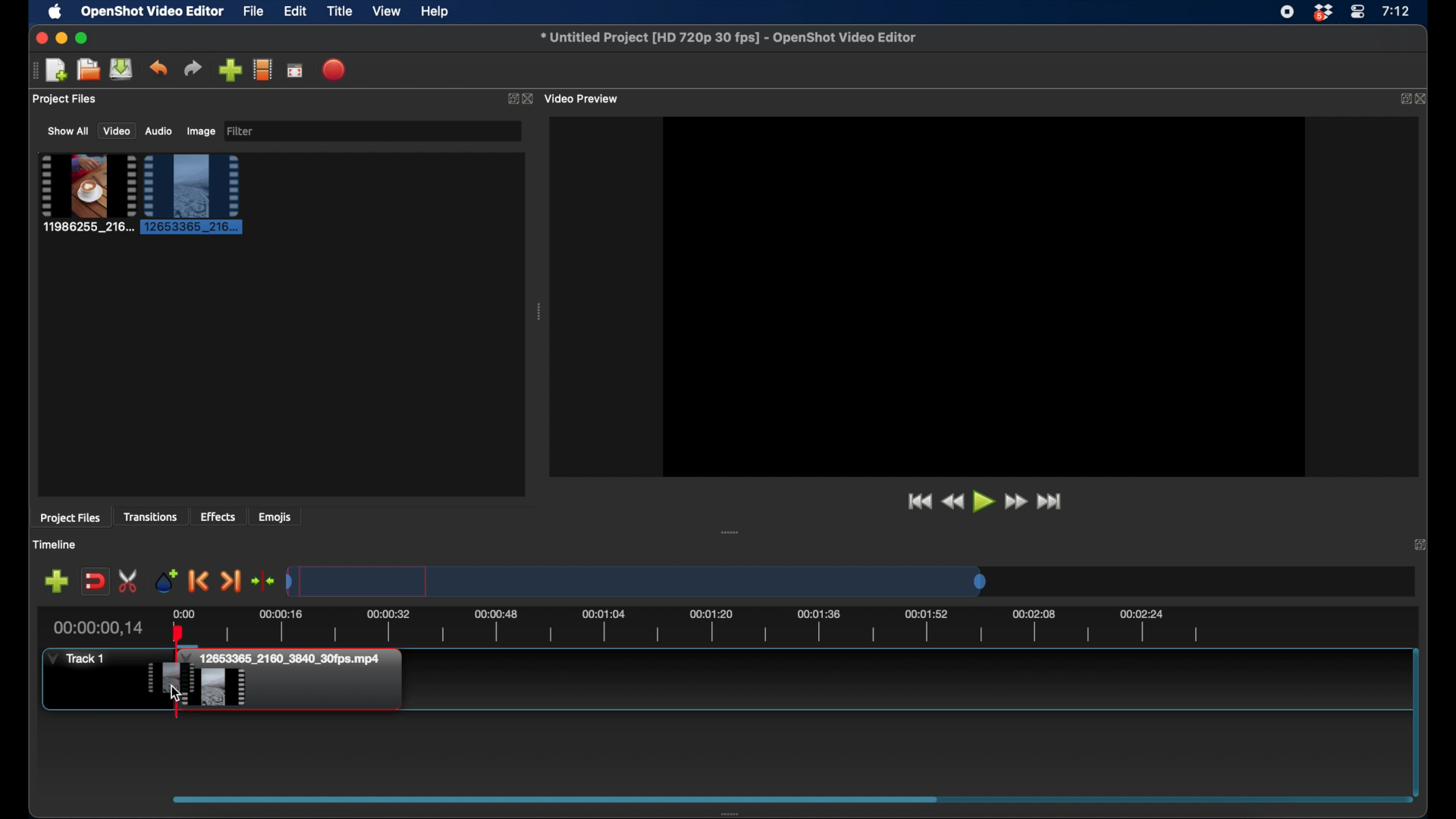 The height and width of the screenshot is (819, 1456). What do you see at coordinates (64, 99) in the screenshot?
I see `project files` at bounding box center [64, 99].